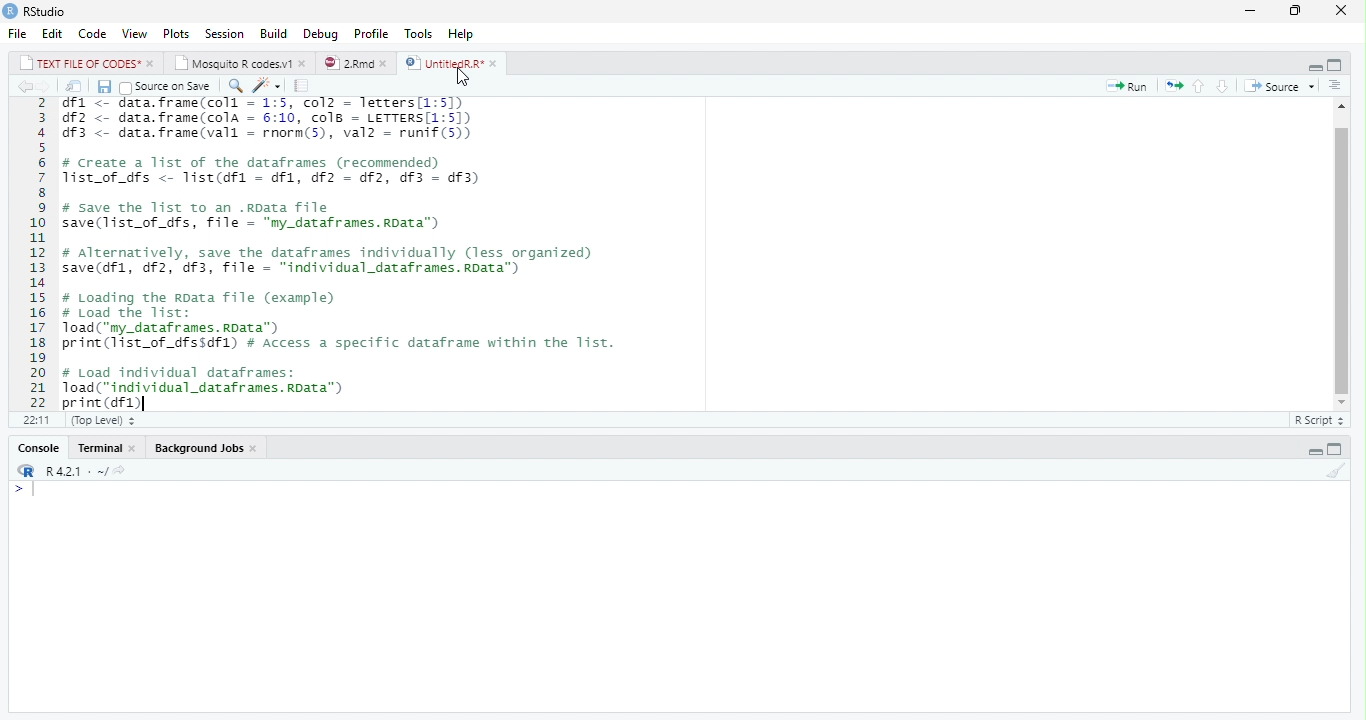 The image size is (1366, 720). Describe the element at coordinates (234, 86) in the screenshot. I see `Find/Replace` at that location.